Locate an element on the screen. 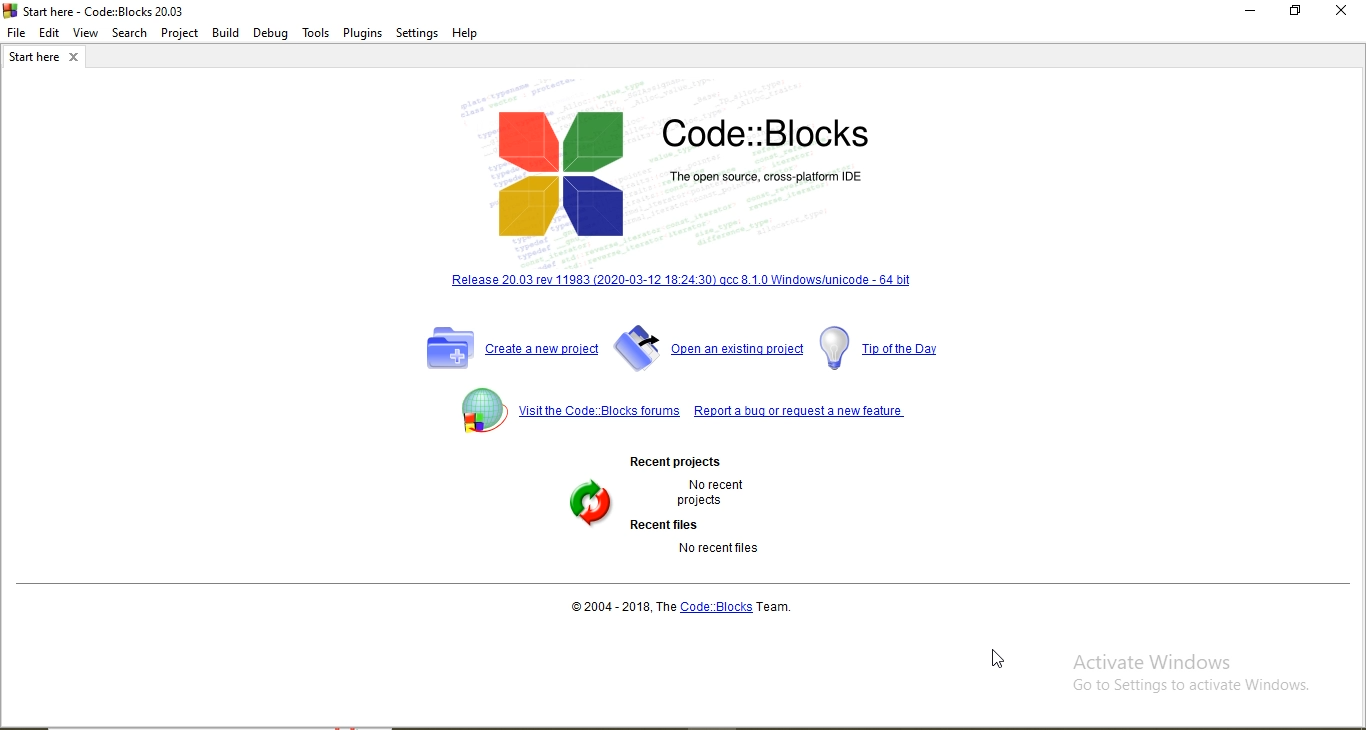 This screenshot has height=730, width=1366. Start here is located at coordinates (47, 58).